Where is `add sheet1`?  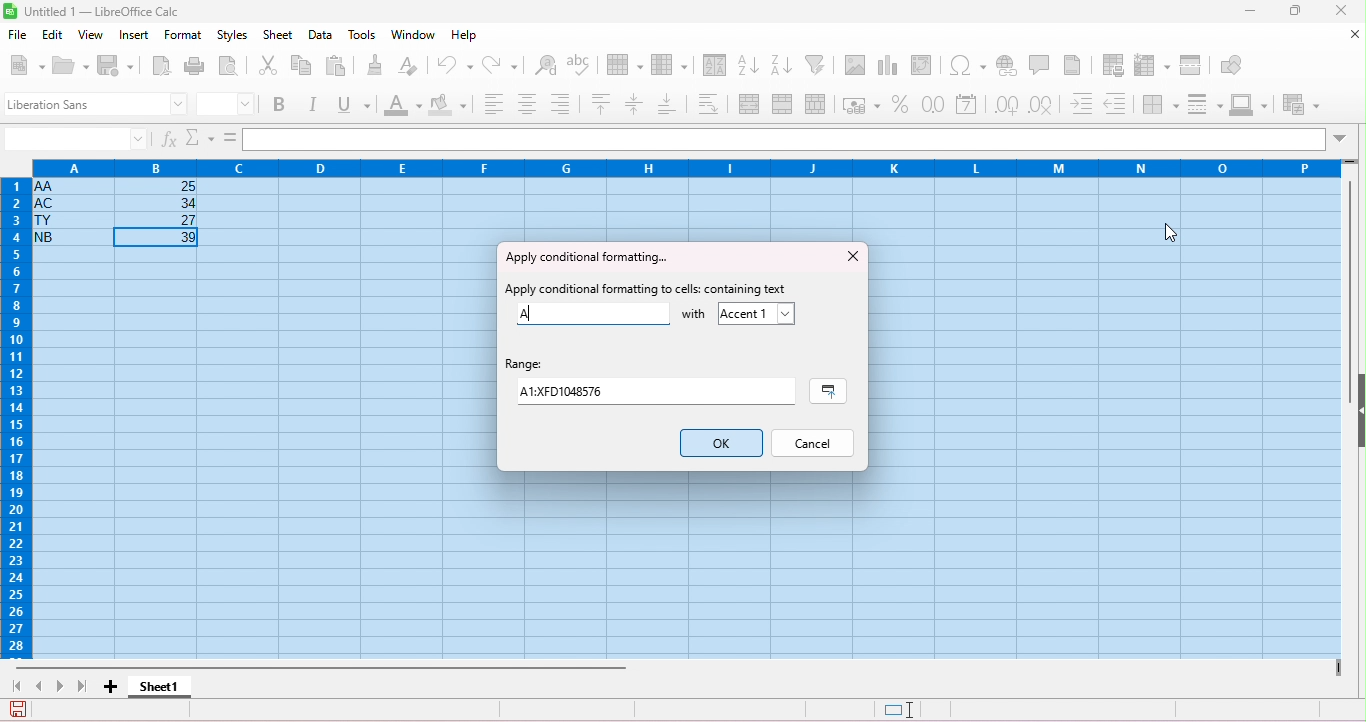
add sheet1 is located at coordinates (108, 686).